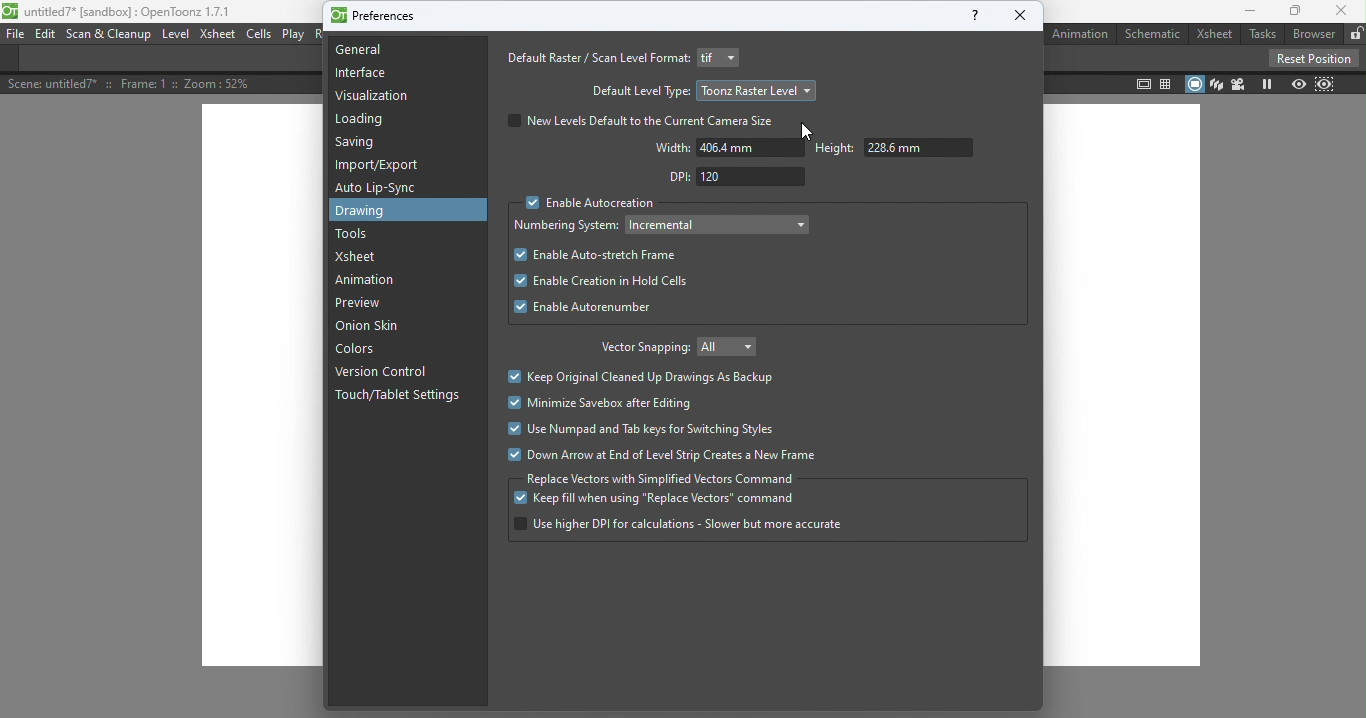 This screenshot has height=718, width=1366. What do you see at coordinates (722, 57) in the screenshot?
I see `Drop down menu` at bounding box center [722, 57].